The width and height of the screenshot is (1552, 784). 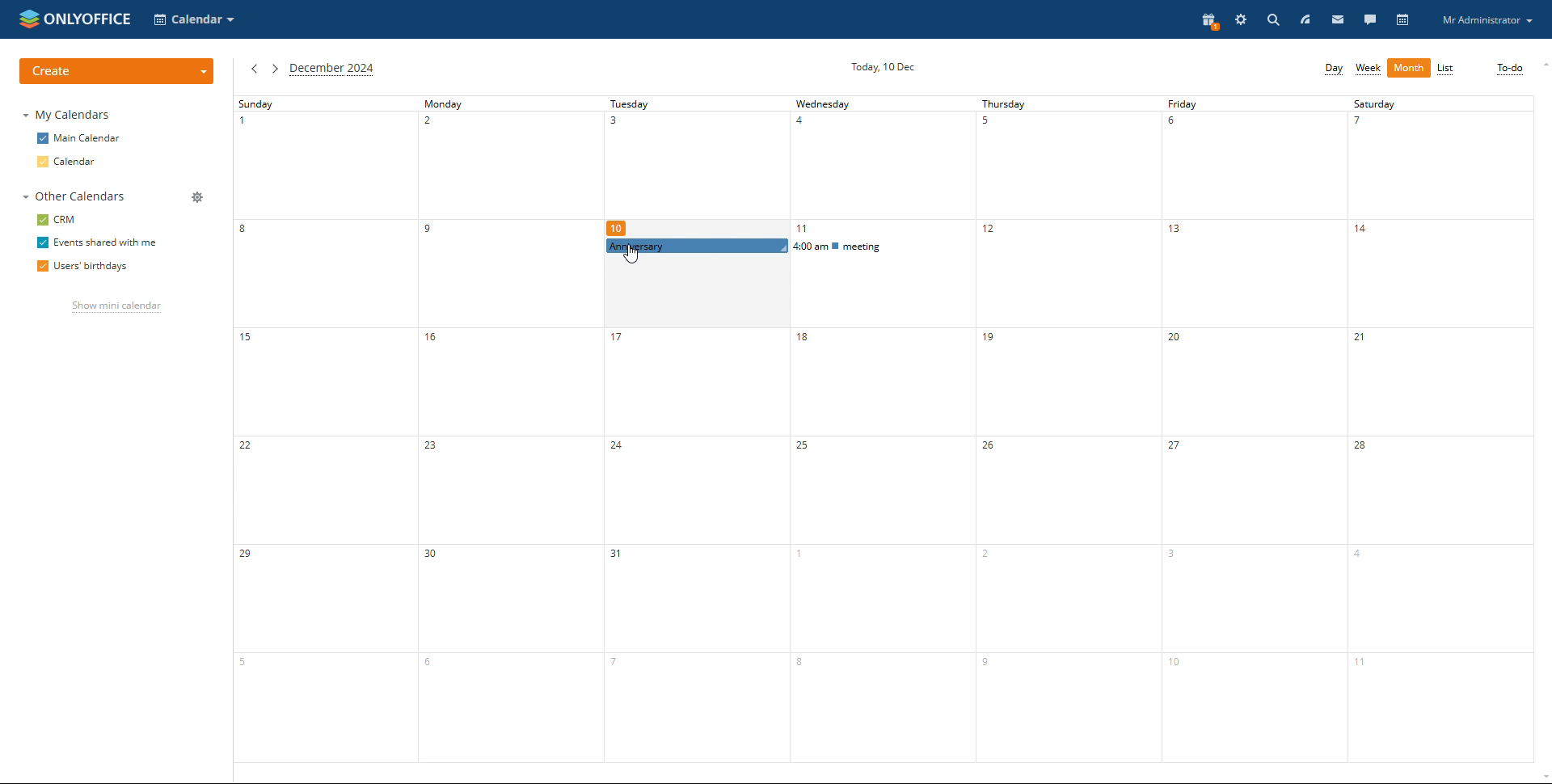 I want to click on tuesday, so click(x=694, y=165).